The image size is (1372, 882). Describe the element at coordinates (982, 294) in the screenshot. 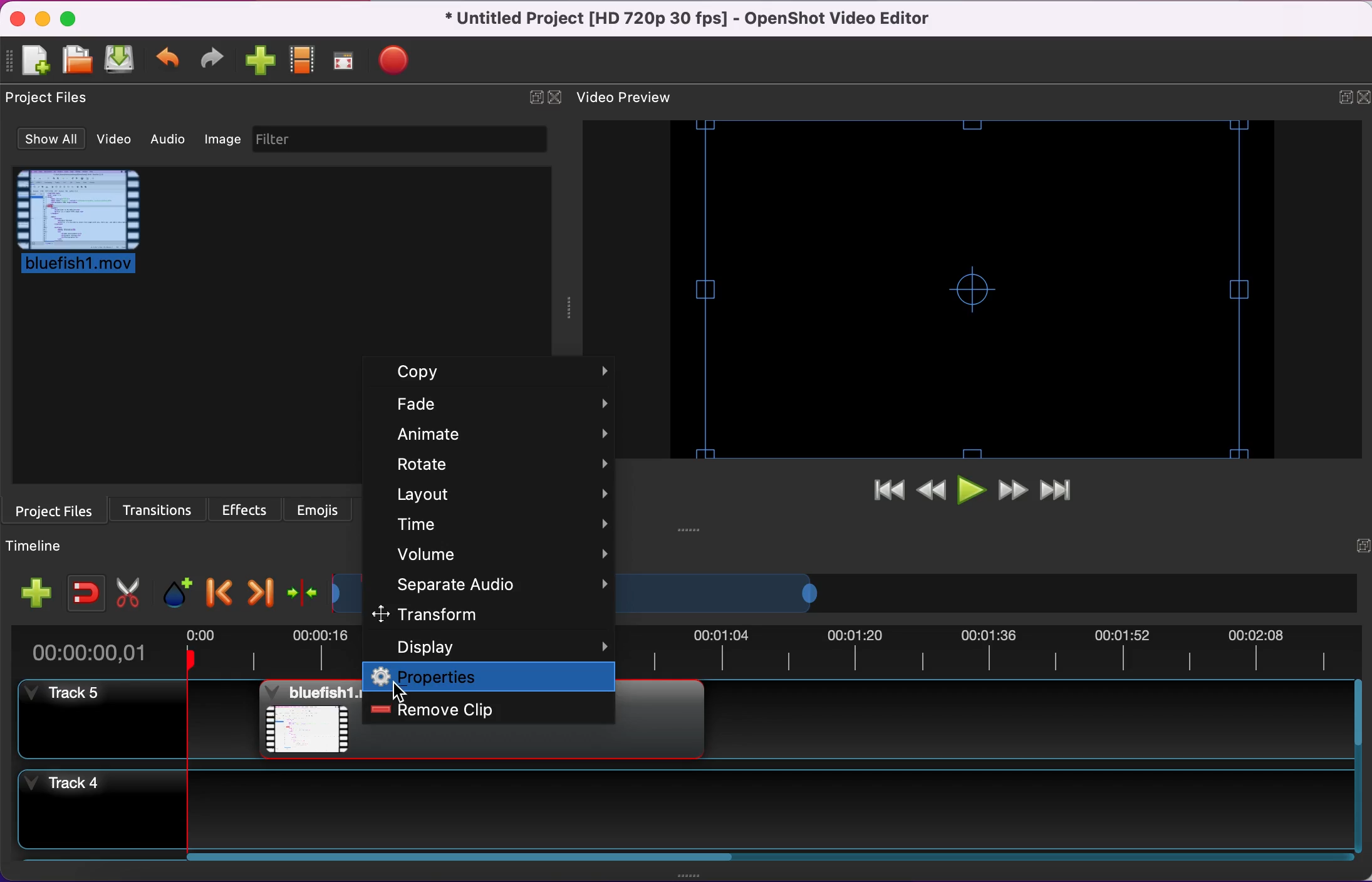

I see `video preview` at that location.